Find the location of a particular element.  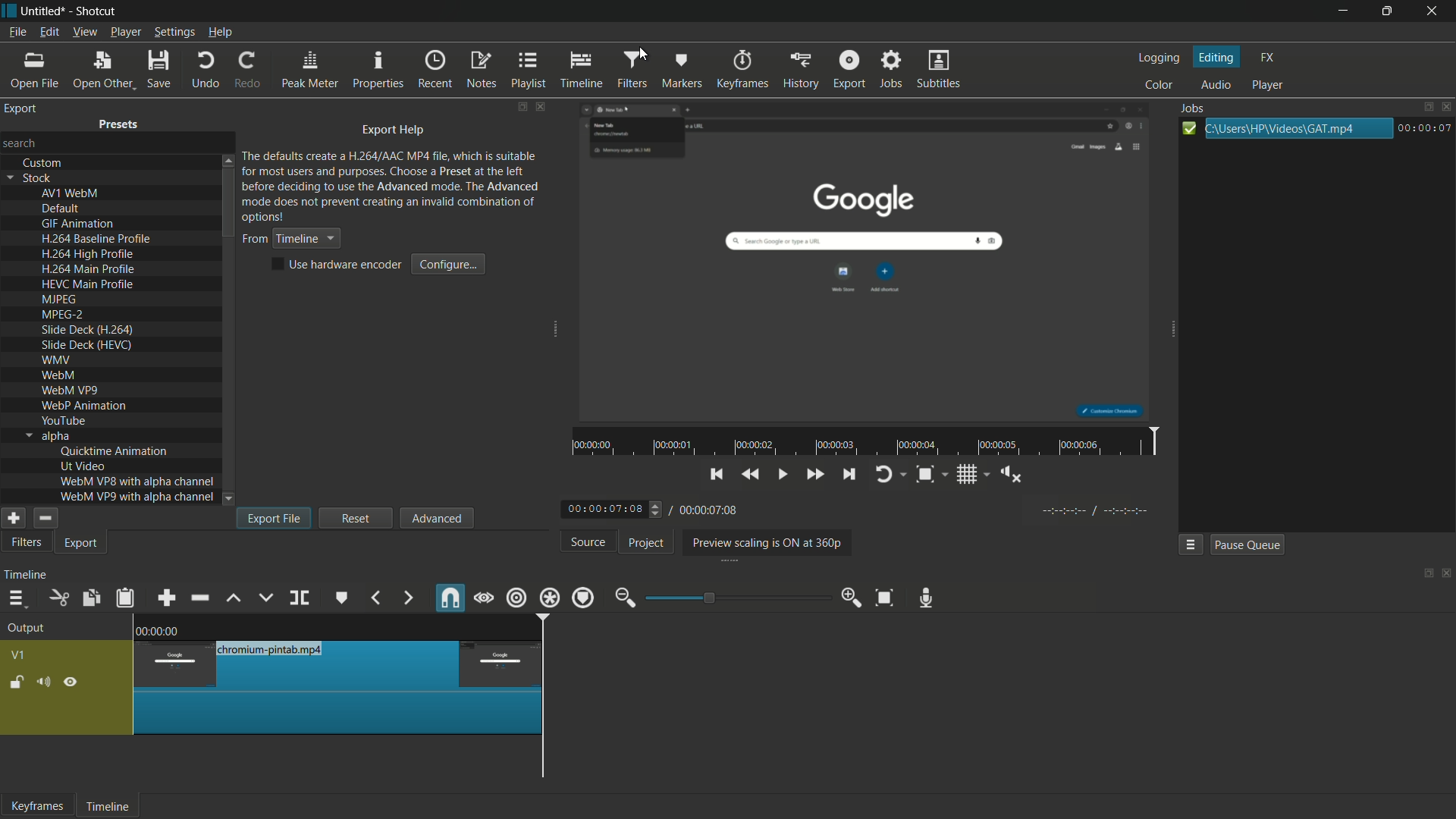

'H.264 Main Profile is located at coordinates (86, 268).